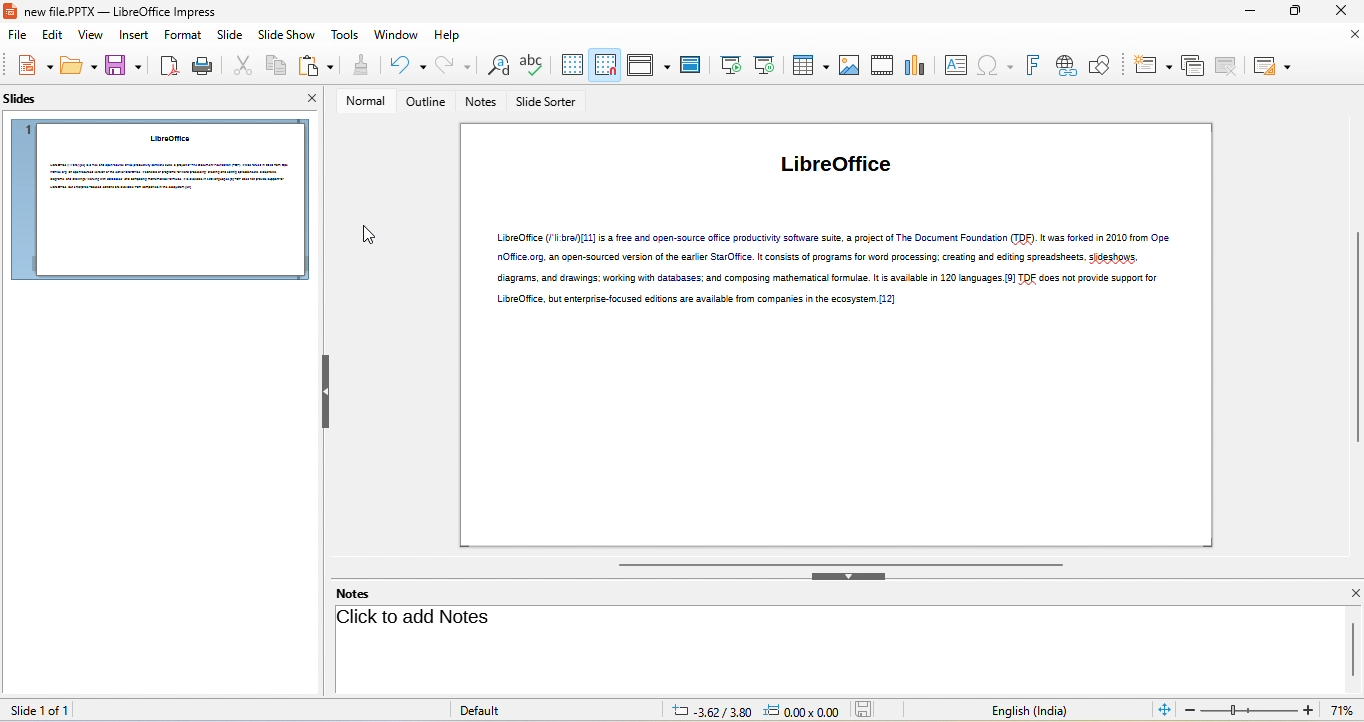  I want to click on text box, so click(955, 67).